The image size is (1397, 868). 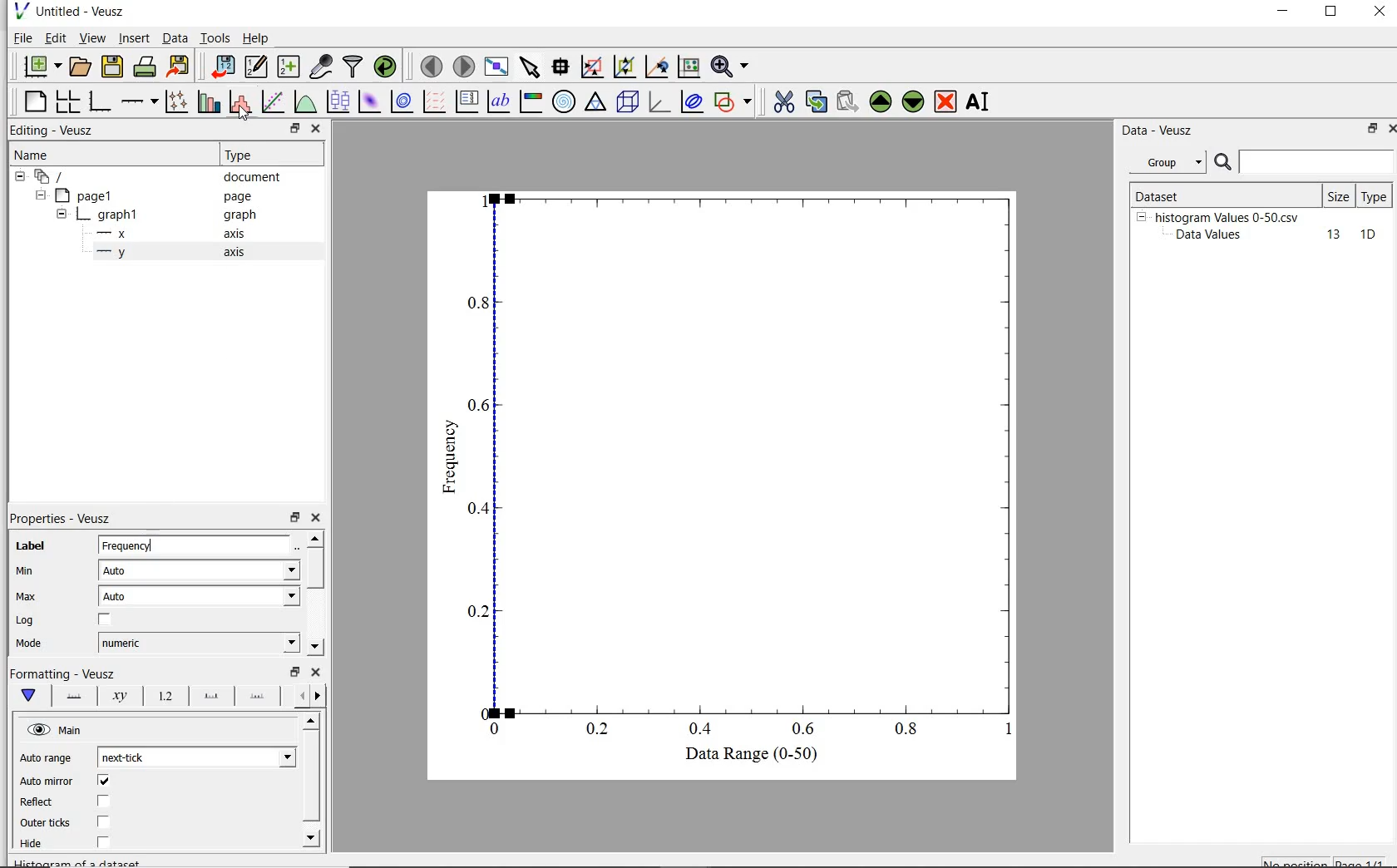 I want to click on plot a vector field, so click(x=436, y=101).